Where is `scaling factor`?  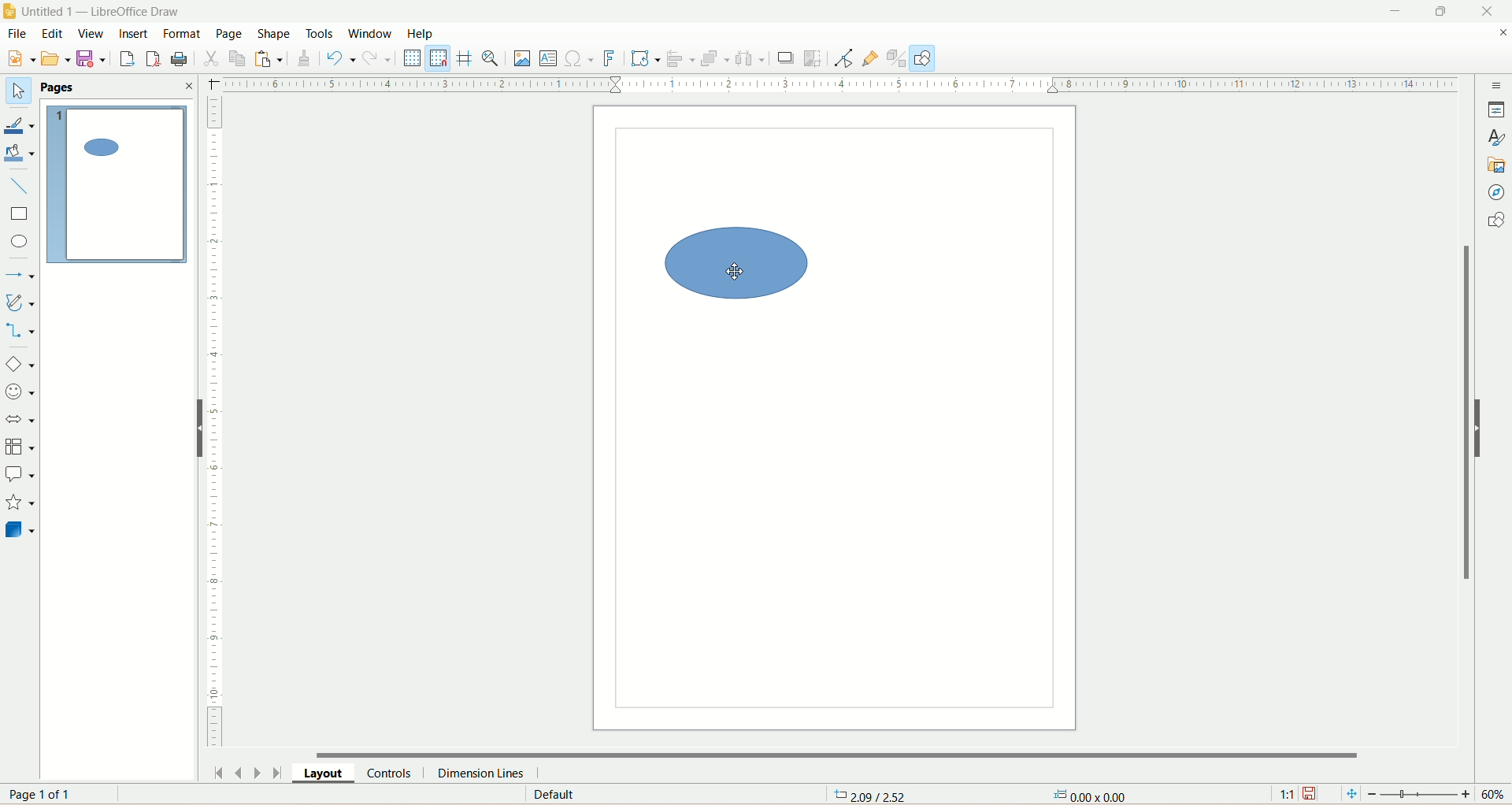
scaling factor is located at coordinates (1289, 792).